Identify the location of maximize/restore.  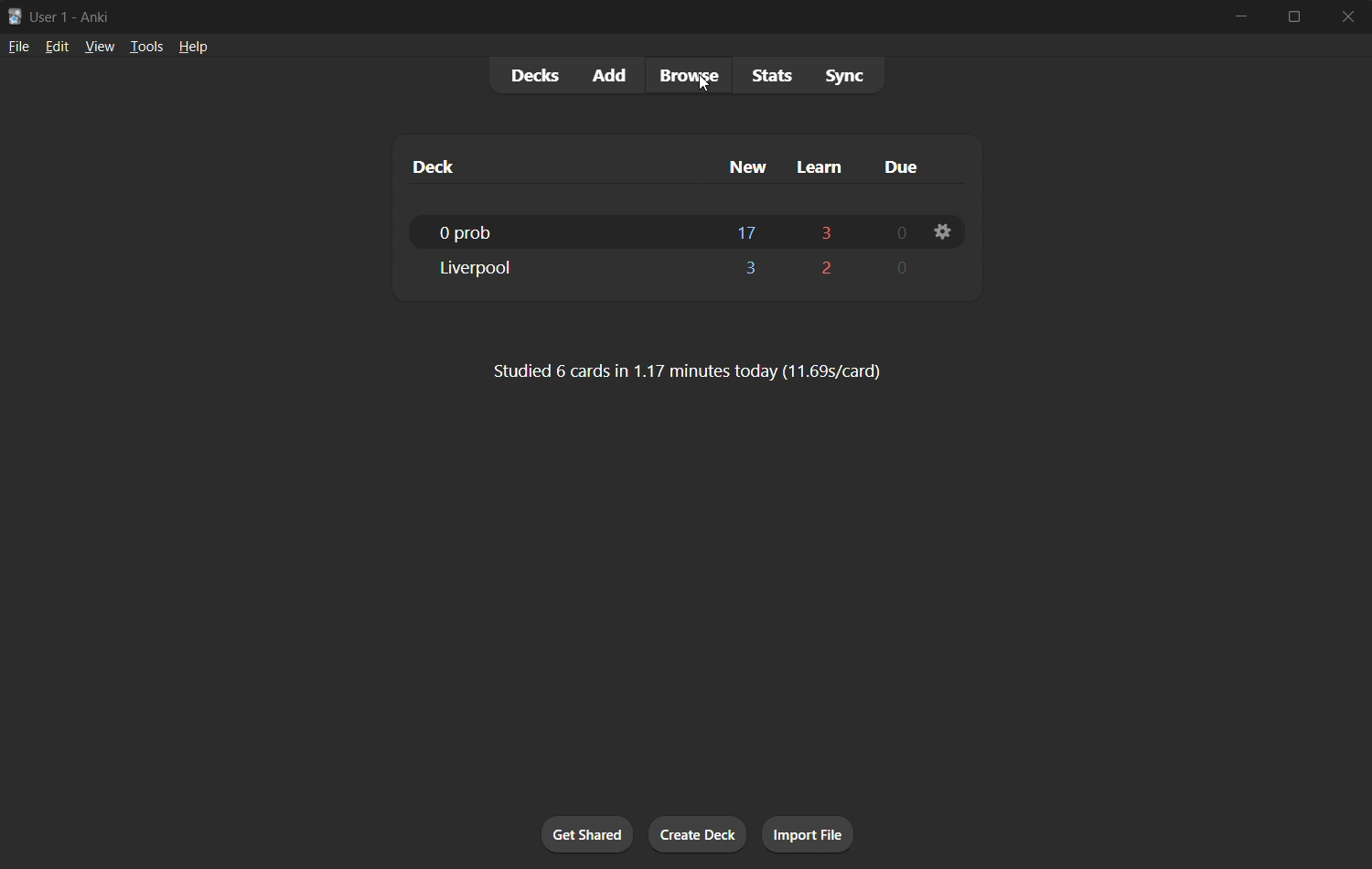
(1295, 16).